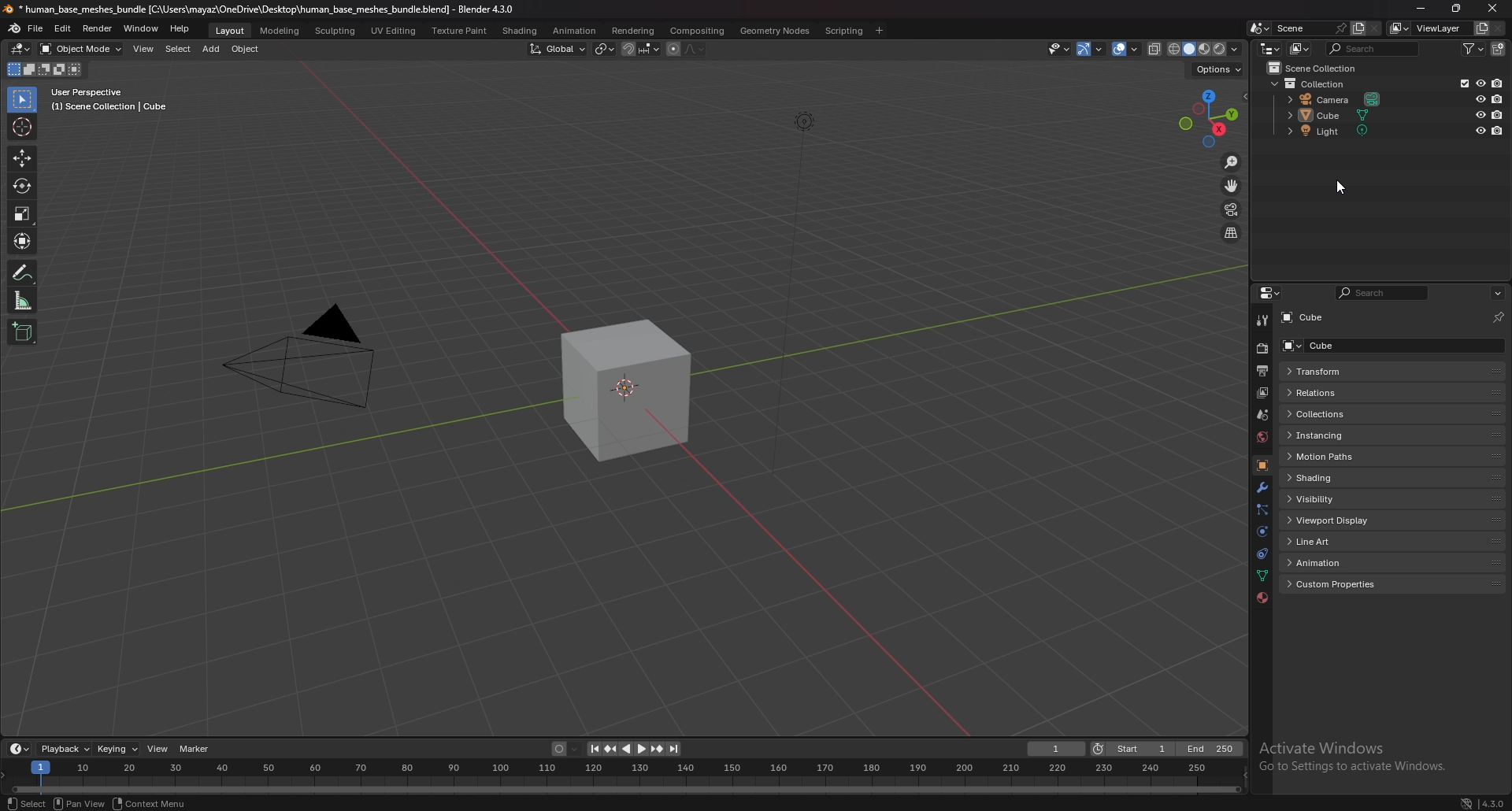 This screenshot has height=811, width=1512. Describe the element at coordinates (196, 749) in the screenshot. I see `marker` at that location.